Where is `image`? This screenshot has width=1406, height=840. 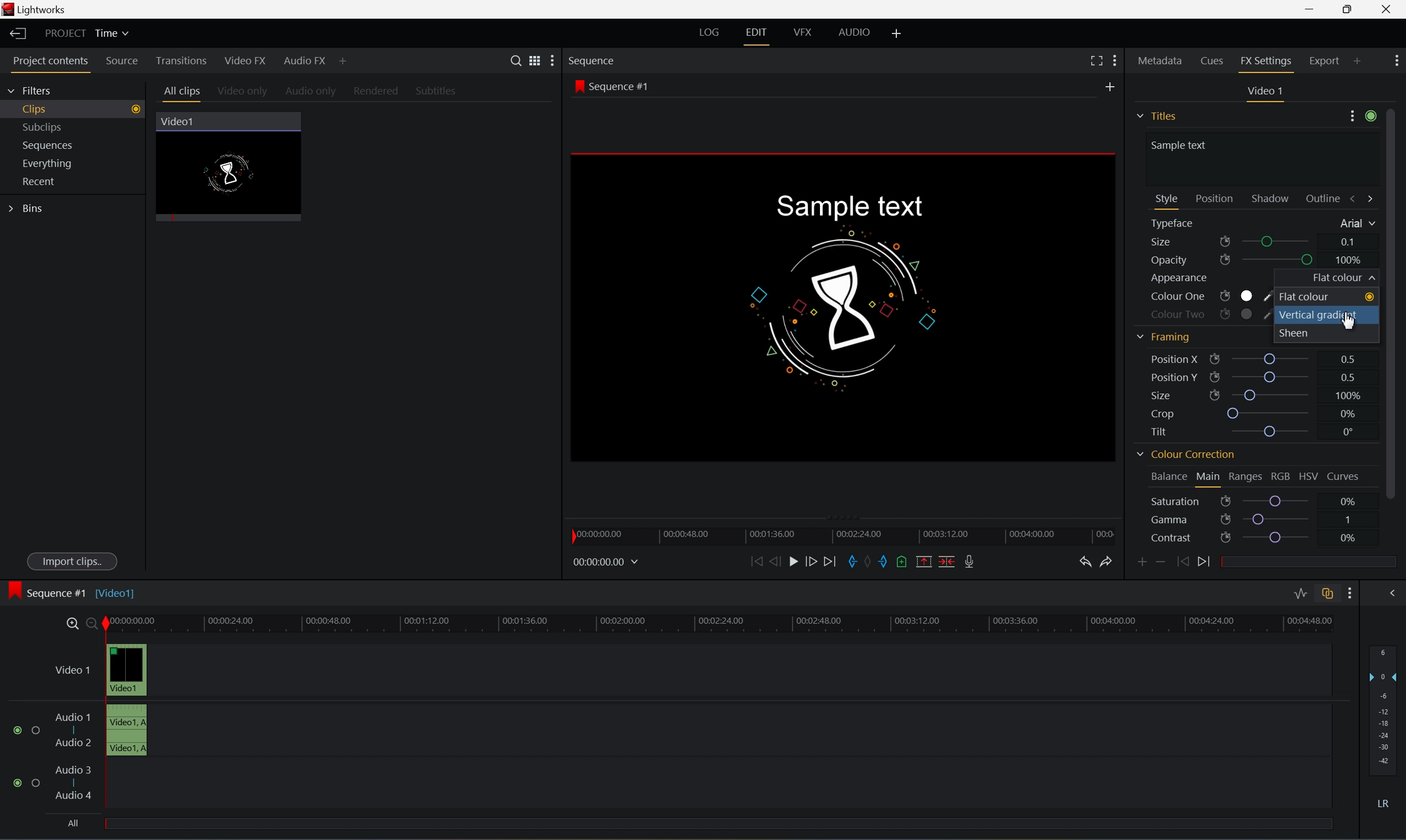
image is located at coordinates (14, 592).